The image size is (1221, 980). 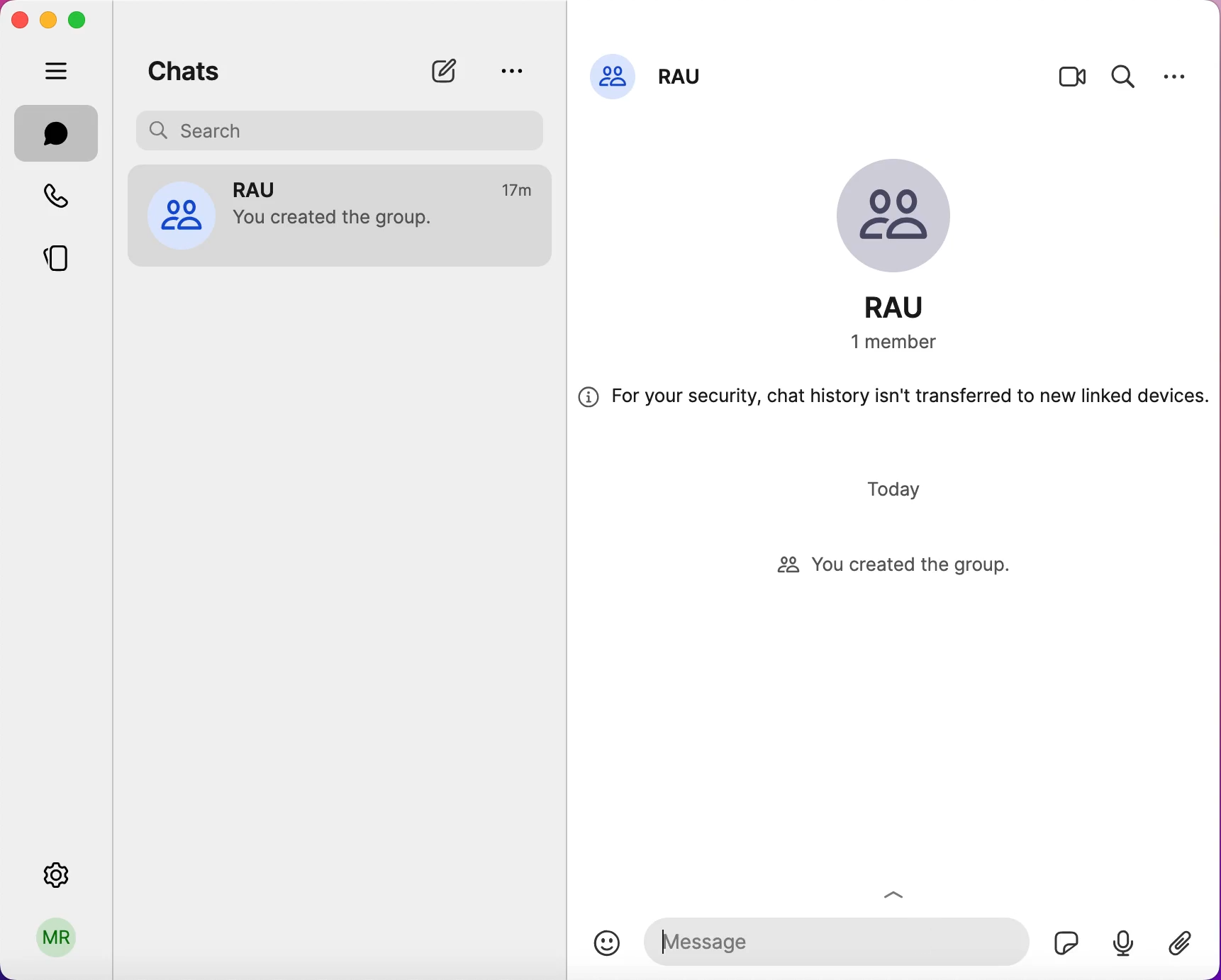 What do you see at coordinates (1122, 942) in the screenshot?
I see `record audio` at bounding box center [1122, 942].